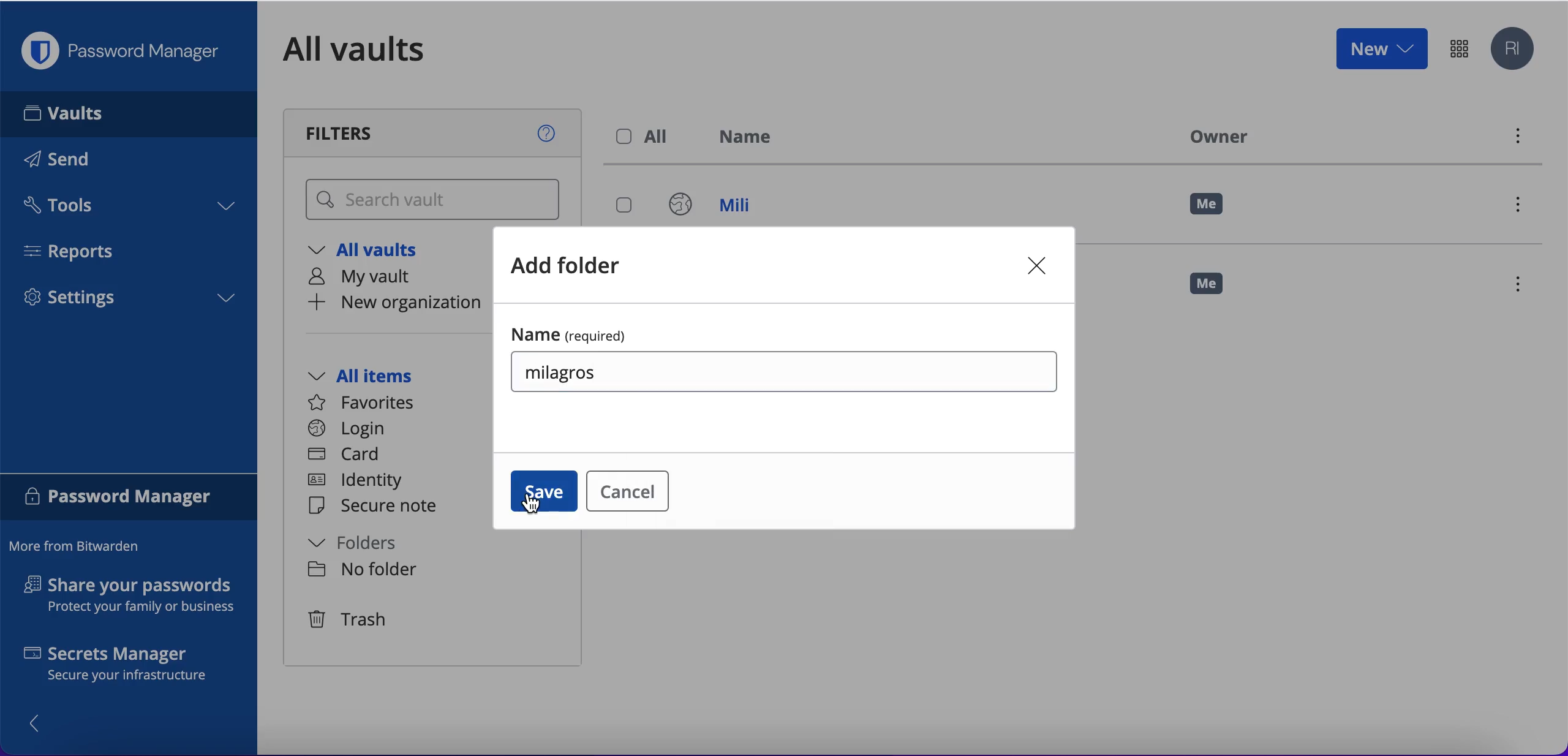  What do you see at coordinates (361, 483) in the screenshot?
I see `identity` at bounding box center [361, 483].